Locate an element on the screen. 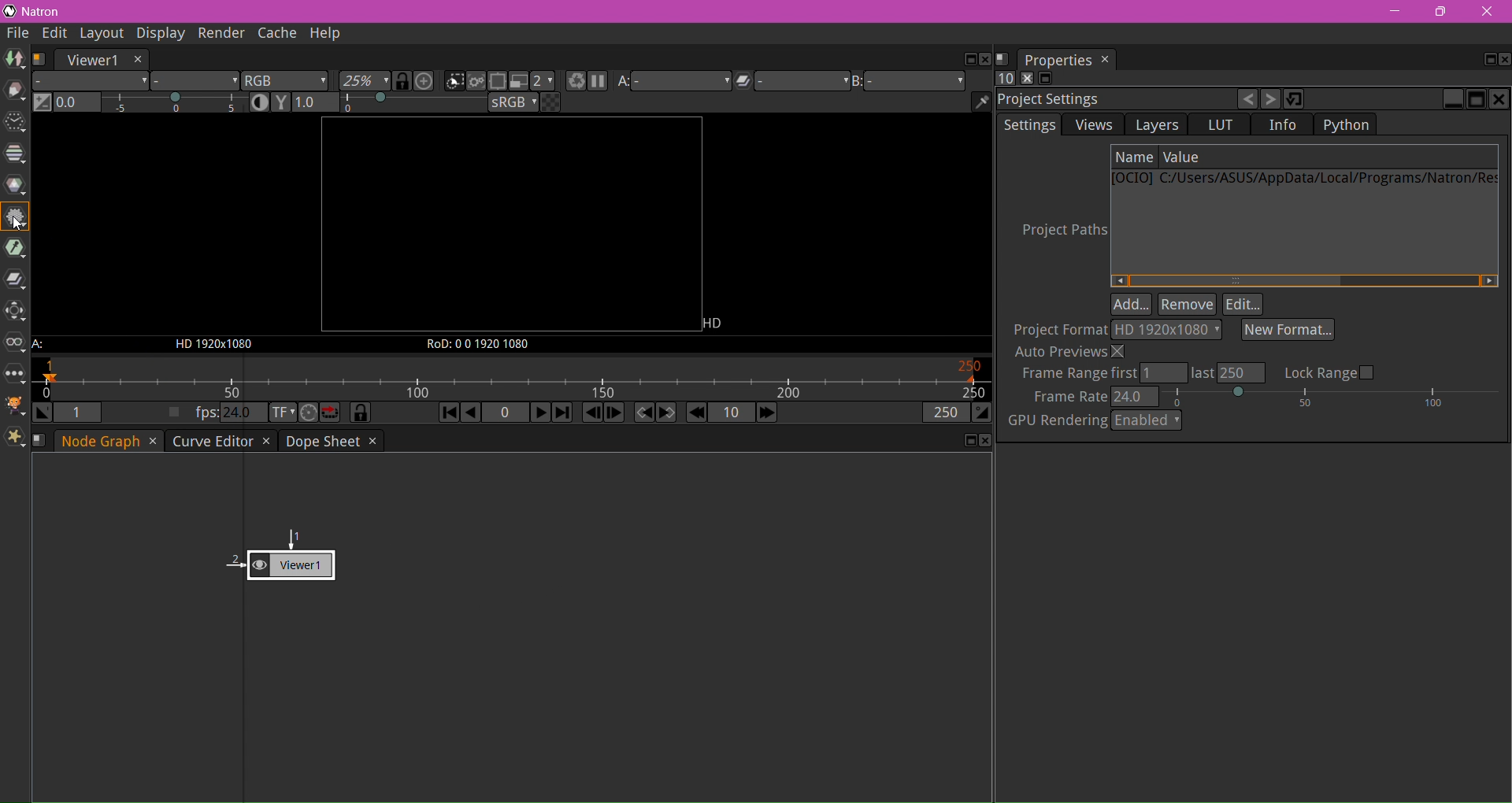 This screenshot has width=1512, height=803. Minimize pane is located at coordinates (1452, 99).